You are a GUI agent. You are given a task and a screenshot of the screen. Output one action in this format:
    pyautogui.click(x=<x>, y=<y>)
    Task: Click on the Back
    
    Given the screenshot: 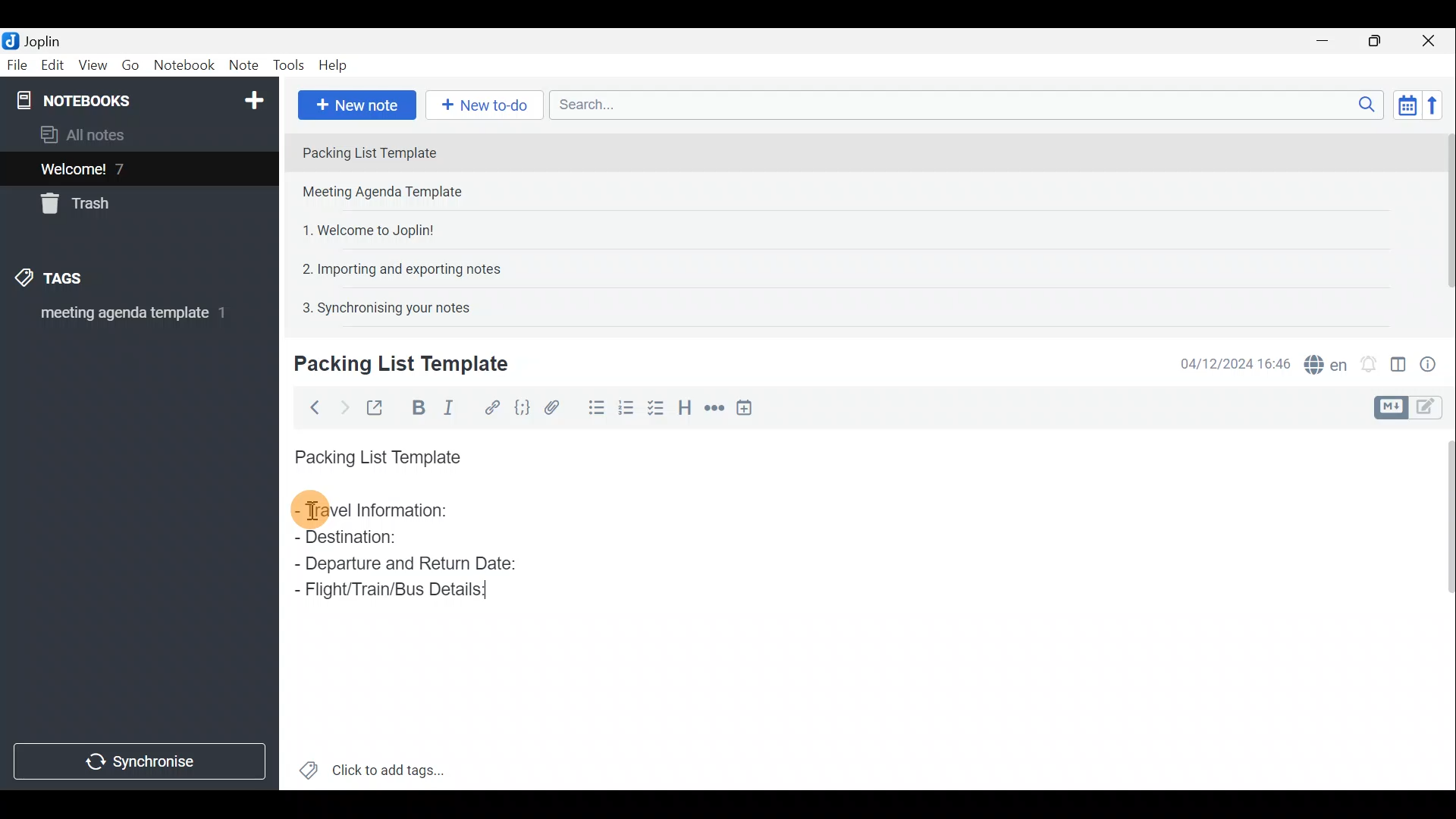 What is the action you would take?
    pyautogui.click(x=312, y=407)
    